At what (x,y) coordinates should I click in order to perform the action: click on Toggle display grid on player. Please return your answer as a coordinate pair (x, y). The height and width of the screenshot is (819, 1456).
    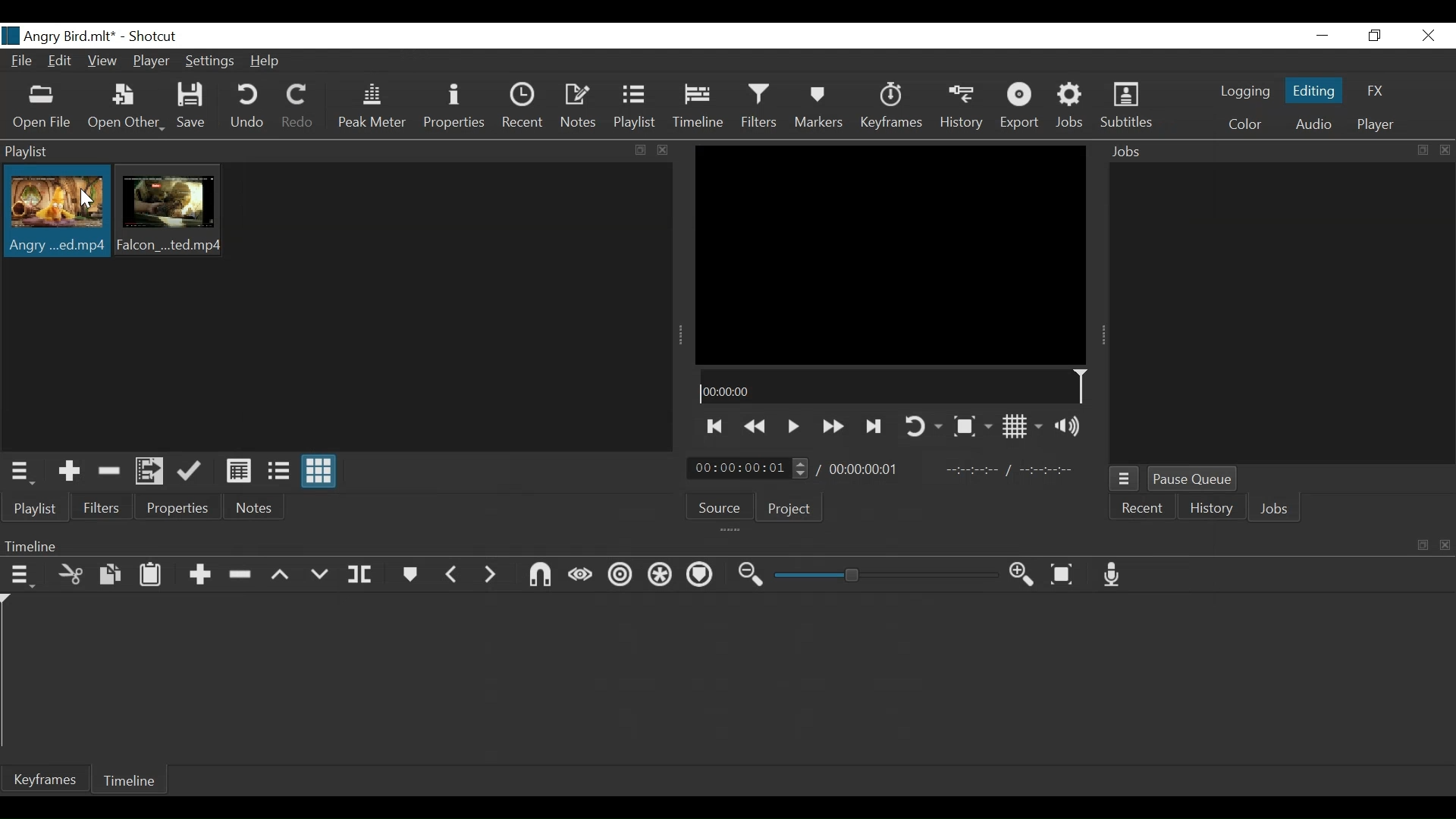
    Looking at the image, I should click on (1026, 426).